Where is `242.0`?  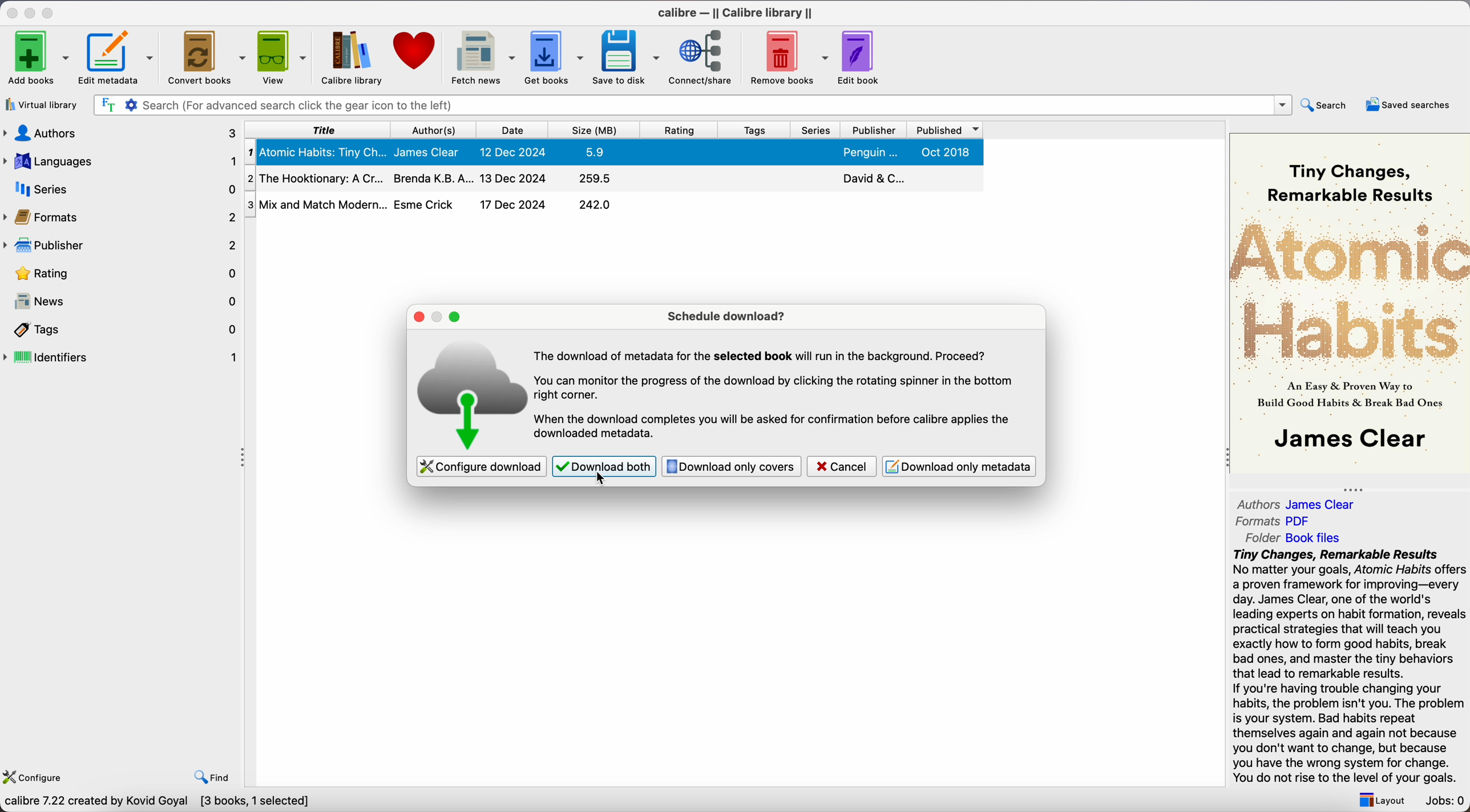
242.0 is located at coordinates (595, 205).